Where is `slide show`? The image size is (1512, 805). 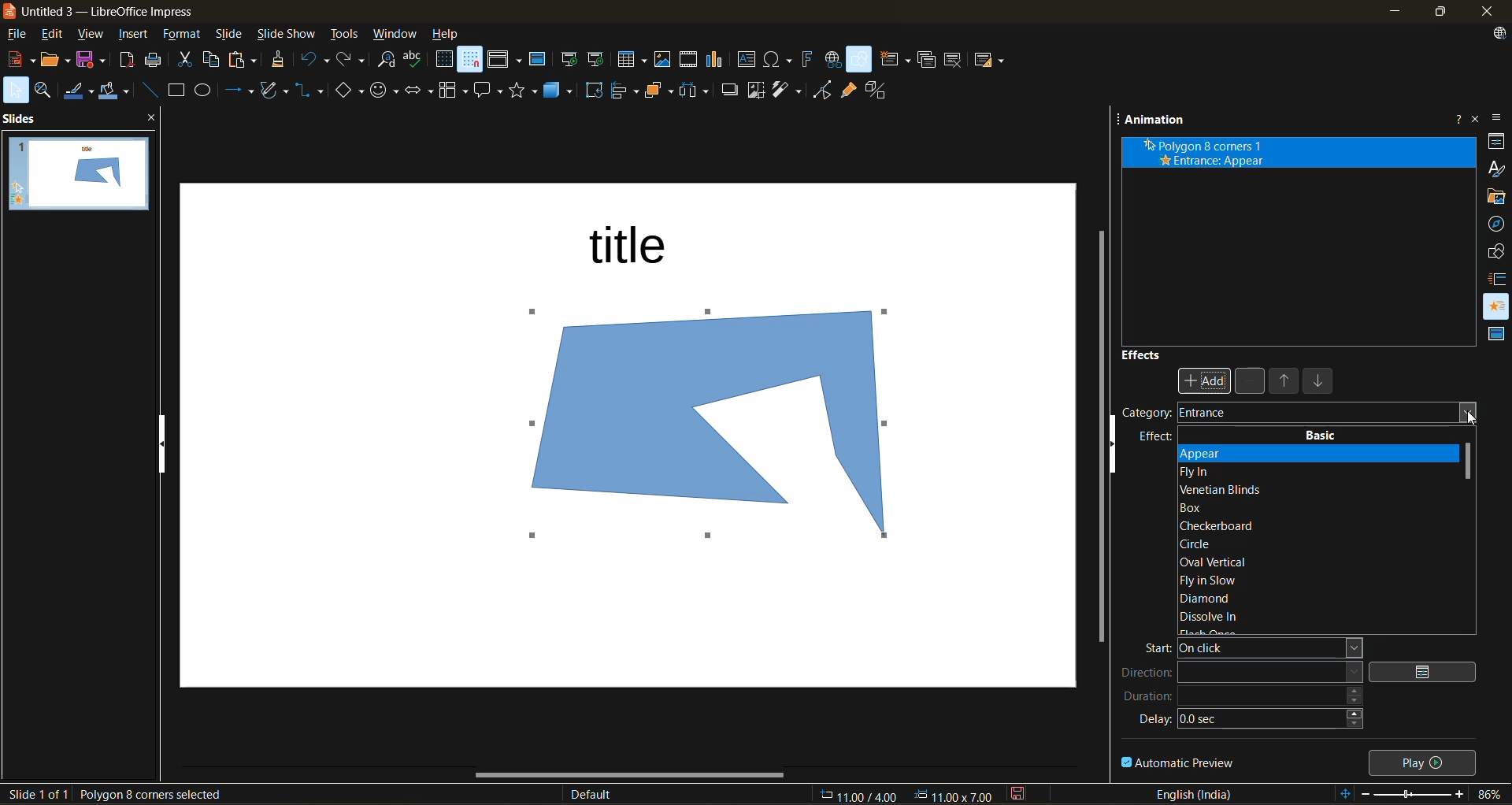 slide show is located at coordinates (286, 35).